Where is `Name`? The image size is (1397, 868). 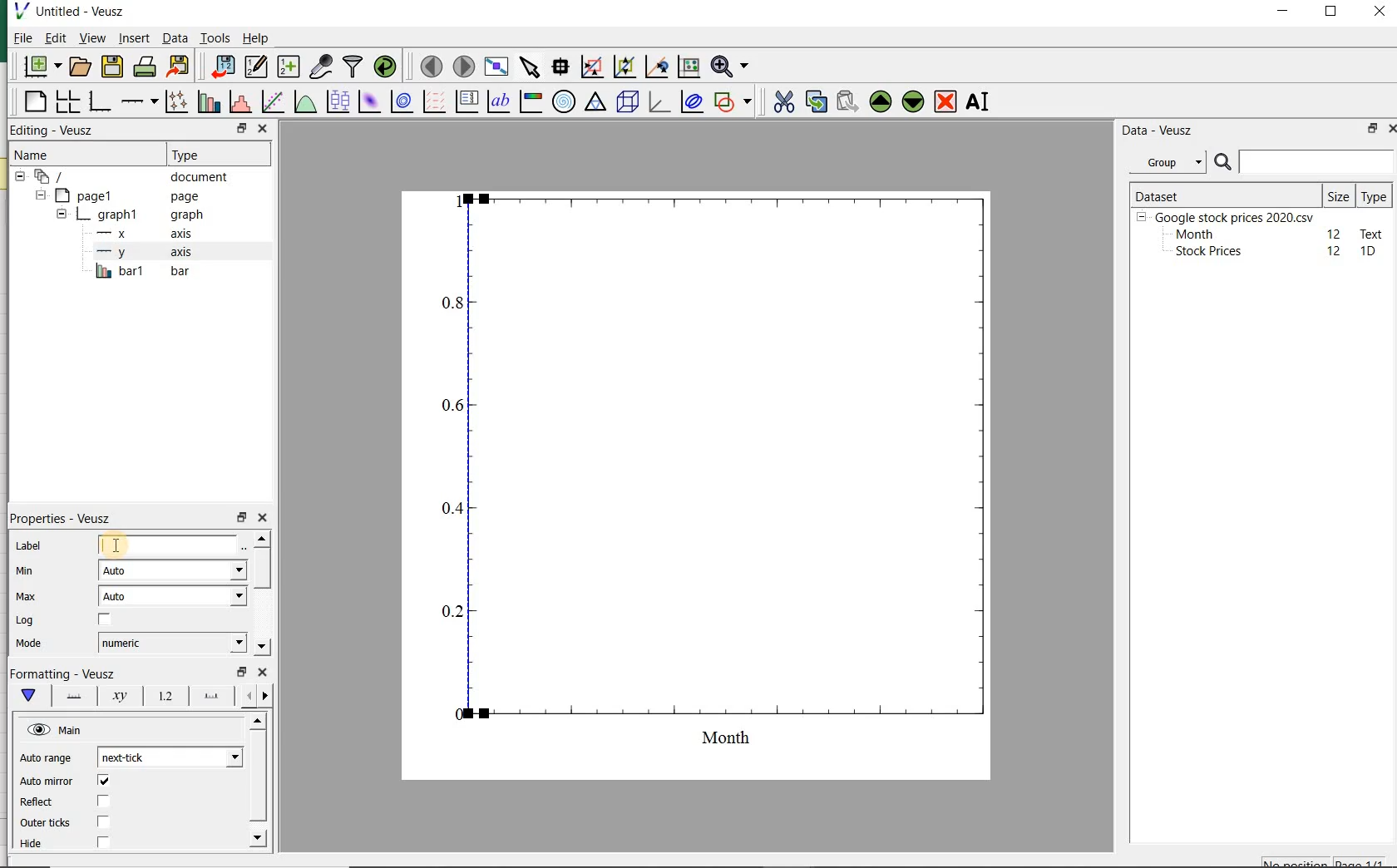
Name is located at coordinates (42, 155).